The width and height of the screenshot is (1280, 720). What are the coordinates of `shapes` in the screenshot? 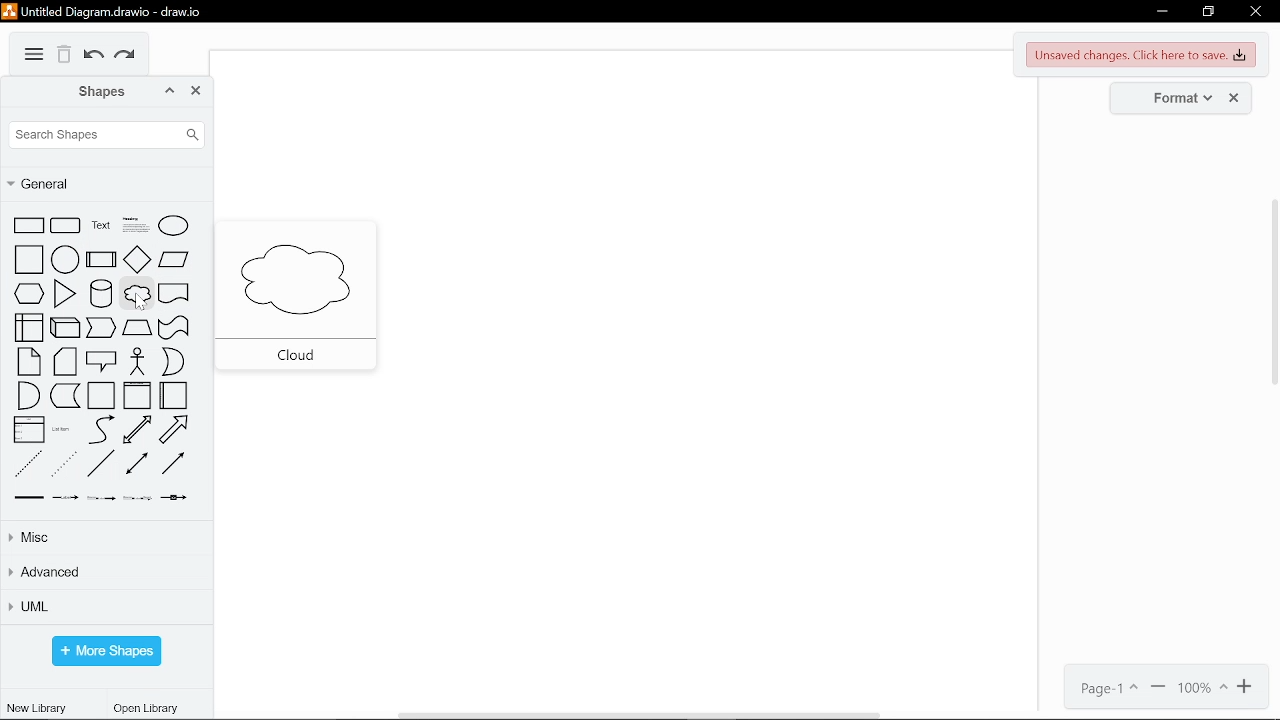 It's located at (82, 92).